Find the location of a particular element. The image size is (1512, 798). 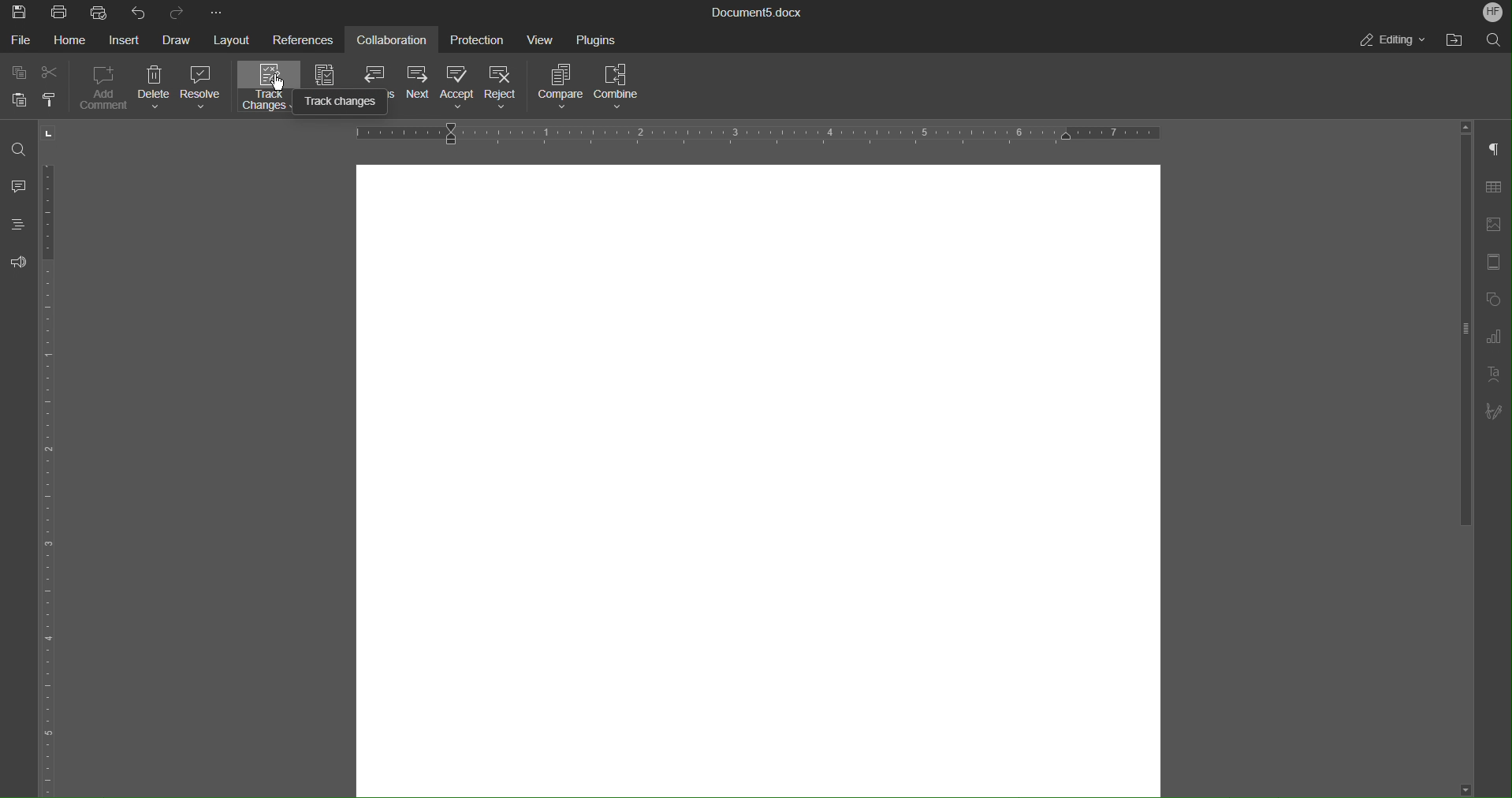

Resolve is located at coordinates (207, 94).